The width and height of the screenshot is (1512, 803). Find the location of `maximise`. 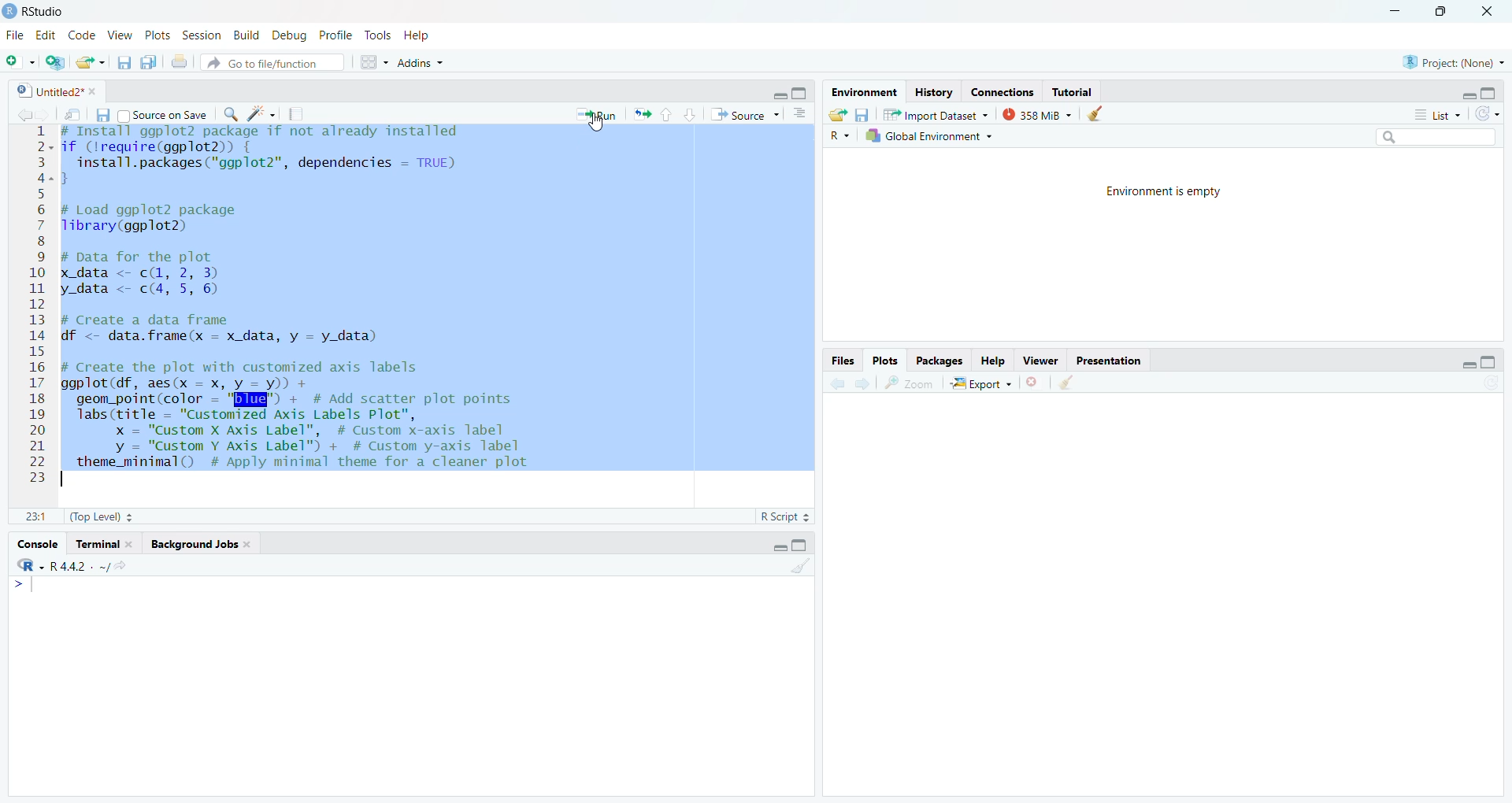

maximise is located at coordinates (799, 94).